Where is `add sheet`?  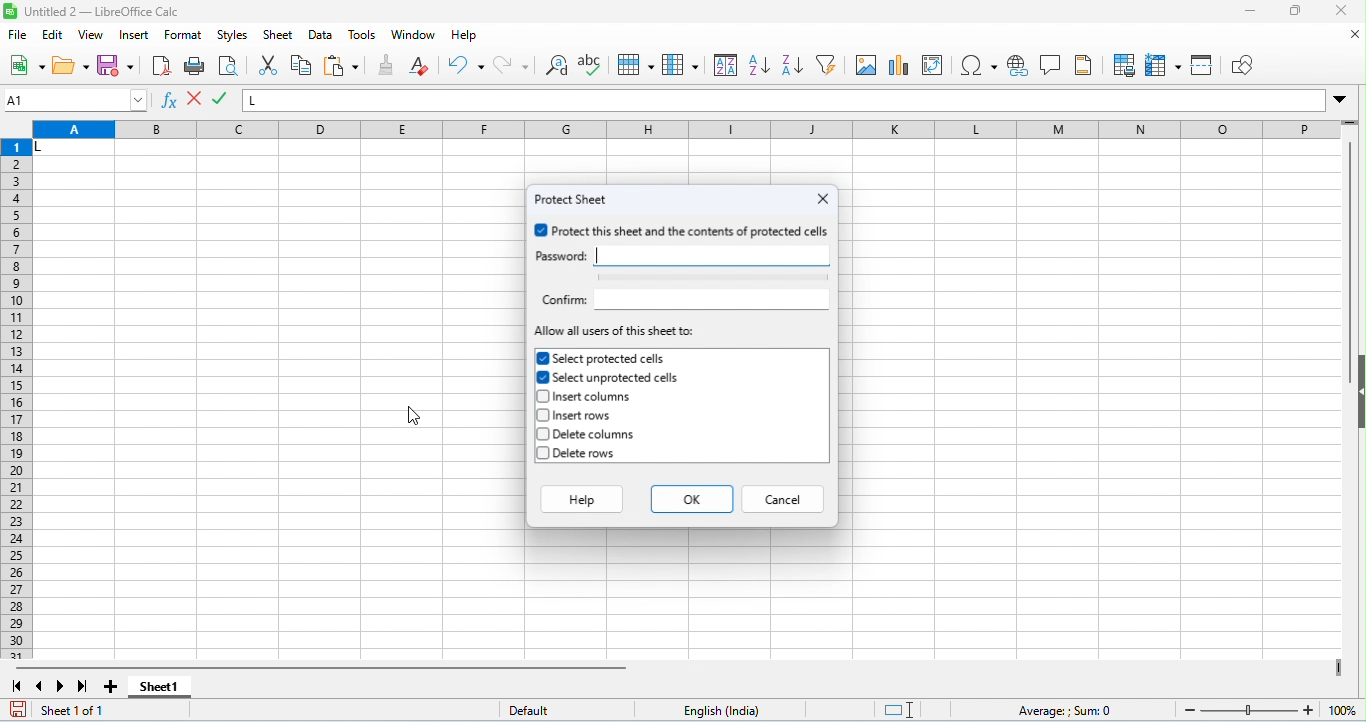
add sheet is located at coordinates (114, 687).